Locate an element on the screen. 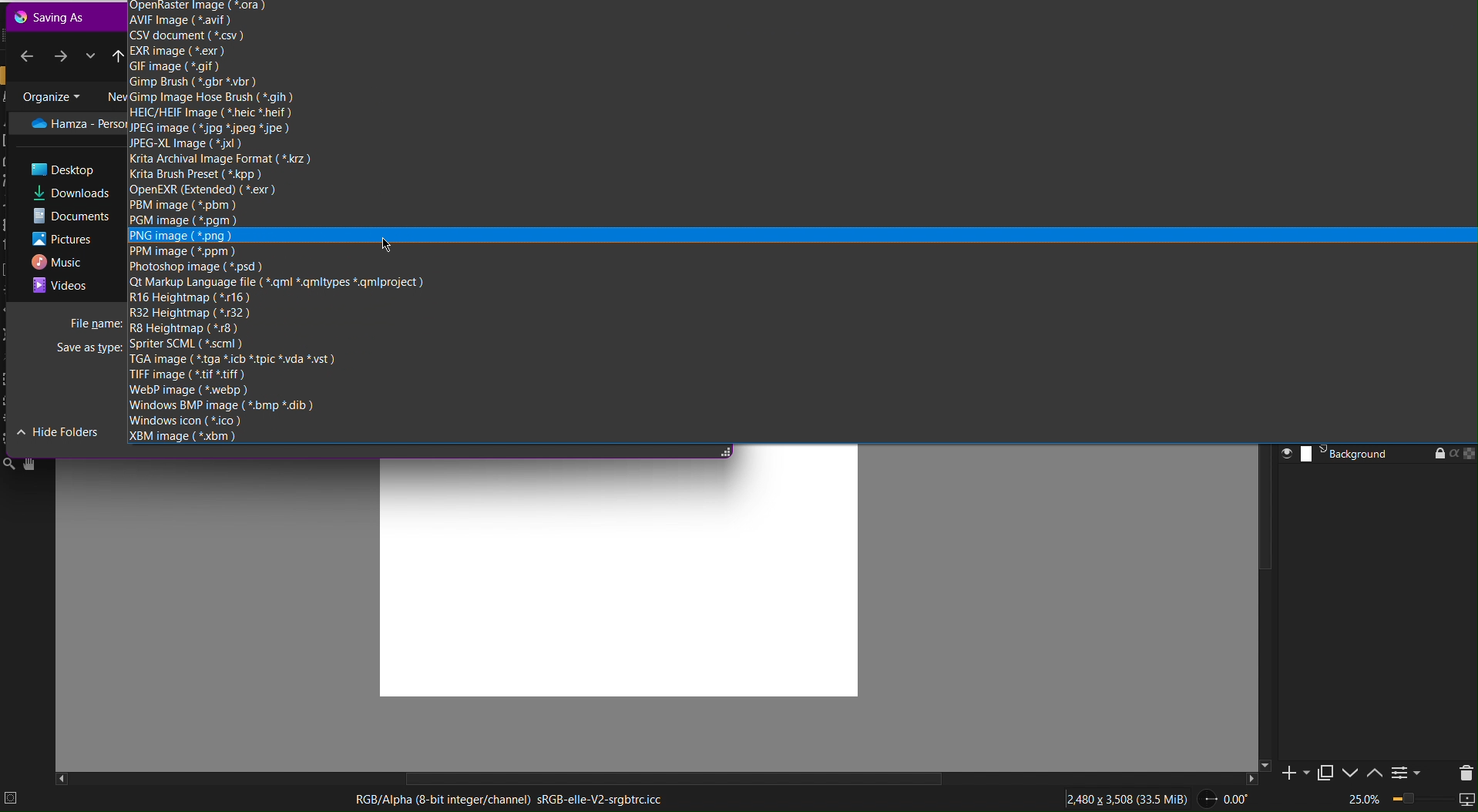 The image size is (1478, 812). Zoom is located at coordinates (1409, 800).